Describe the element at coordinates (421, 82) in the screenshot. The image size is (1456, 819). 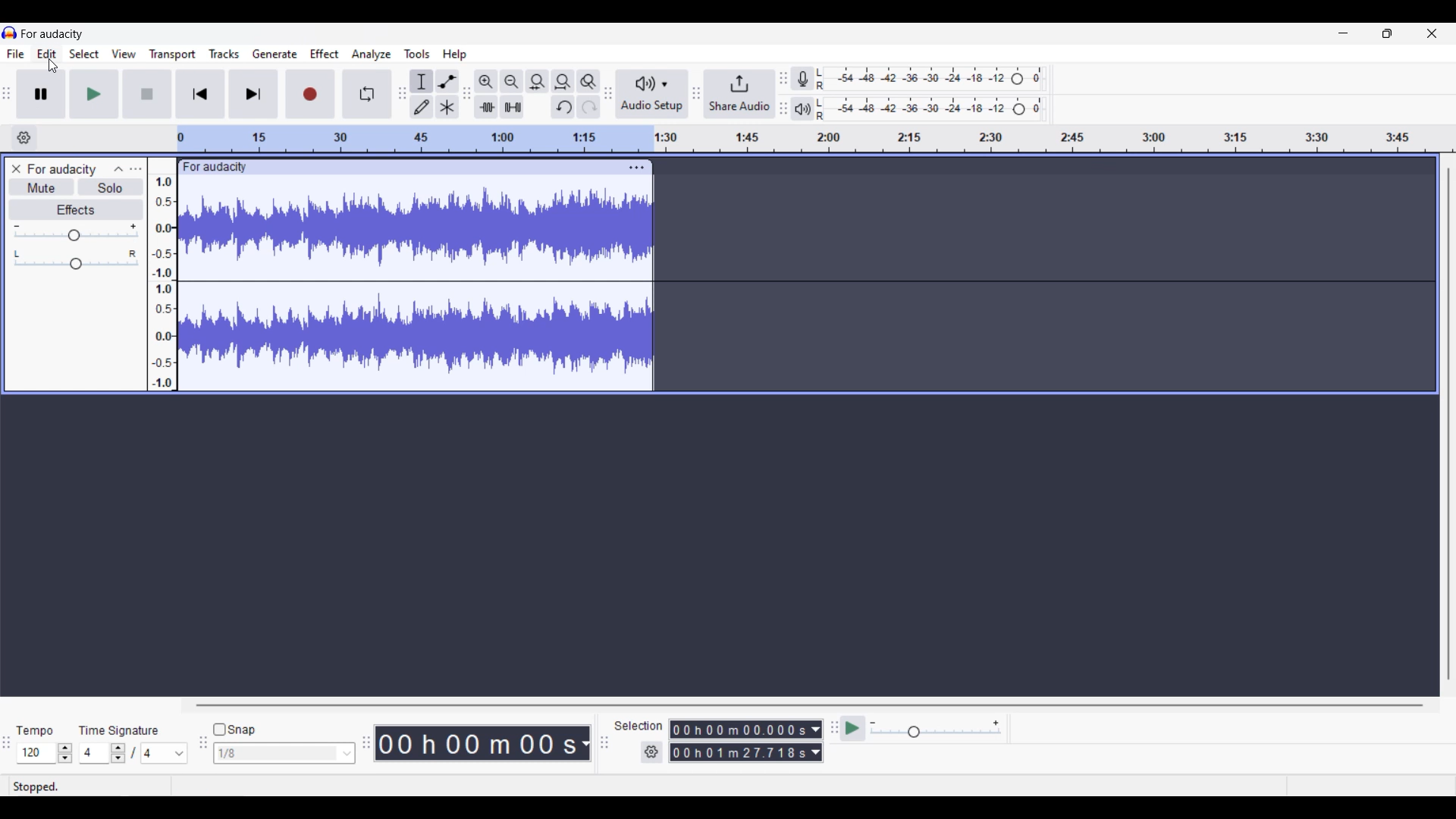
I see `Selection tool` at that location.